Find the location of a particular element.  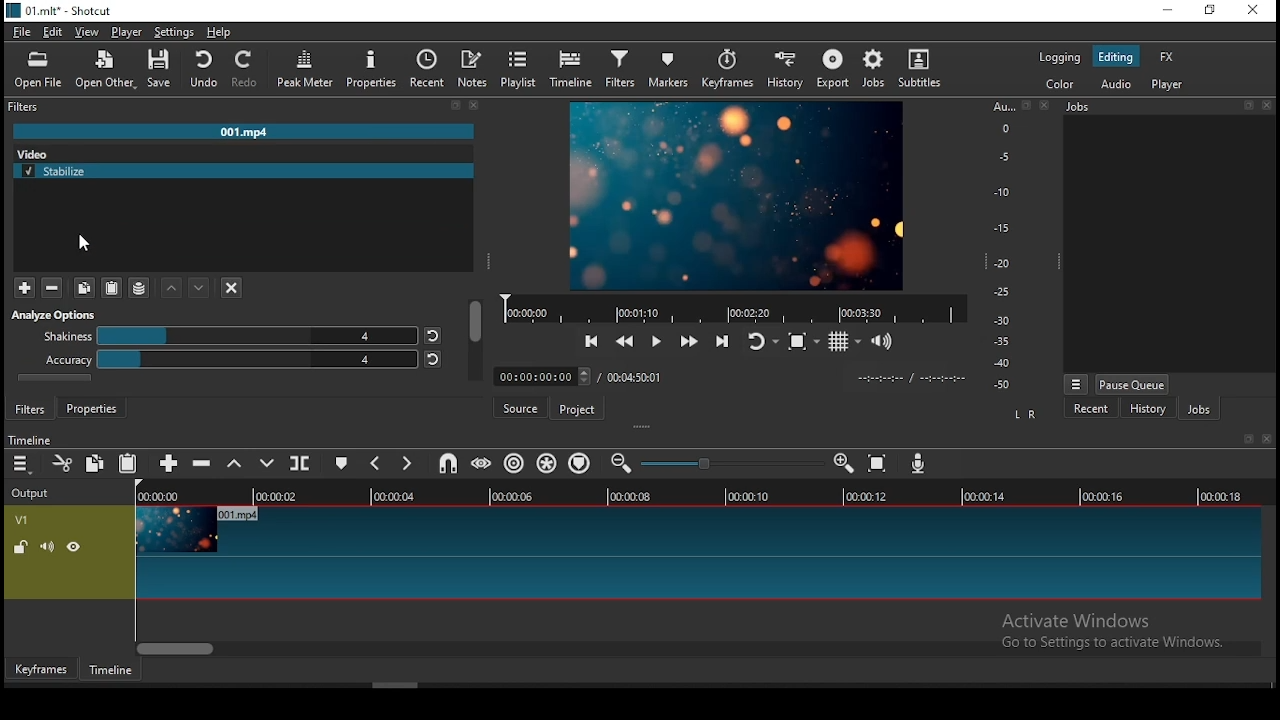

project is located at coordinates (579, 407).